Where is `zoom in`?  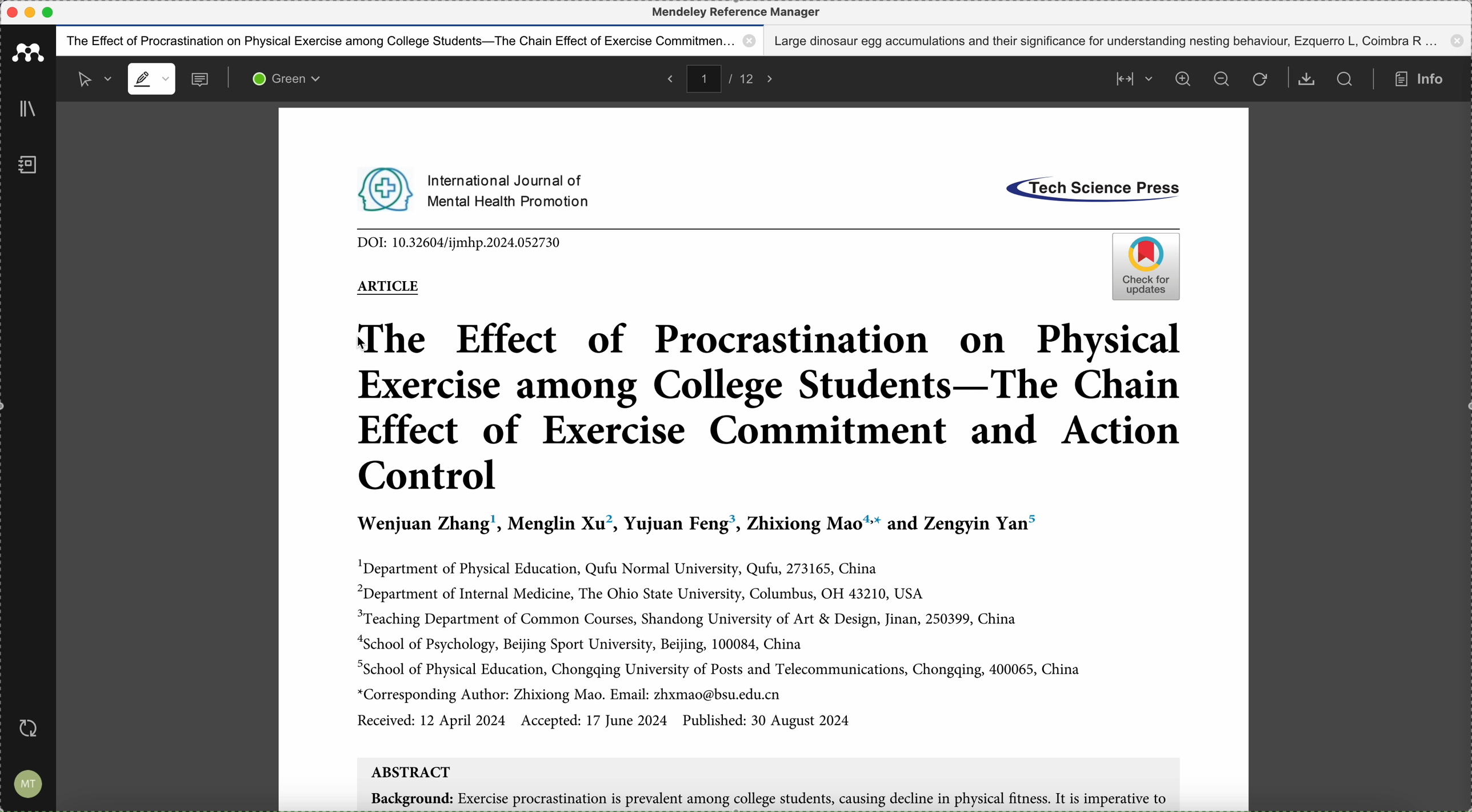
zoom in is located at coordinates (1182, 79).